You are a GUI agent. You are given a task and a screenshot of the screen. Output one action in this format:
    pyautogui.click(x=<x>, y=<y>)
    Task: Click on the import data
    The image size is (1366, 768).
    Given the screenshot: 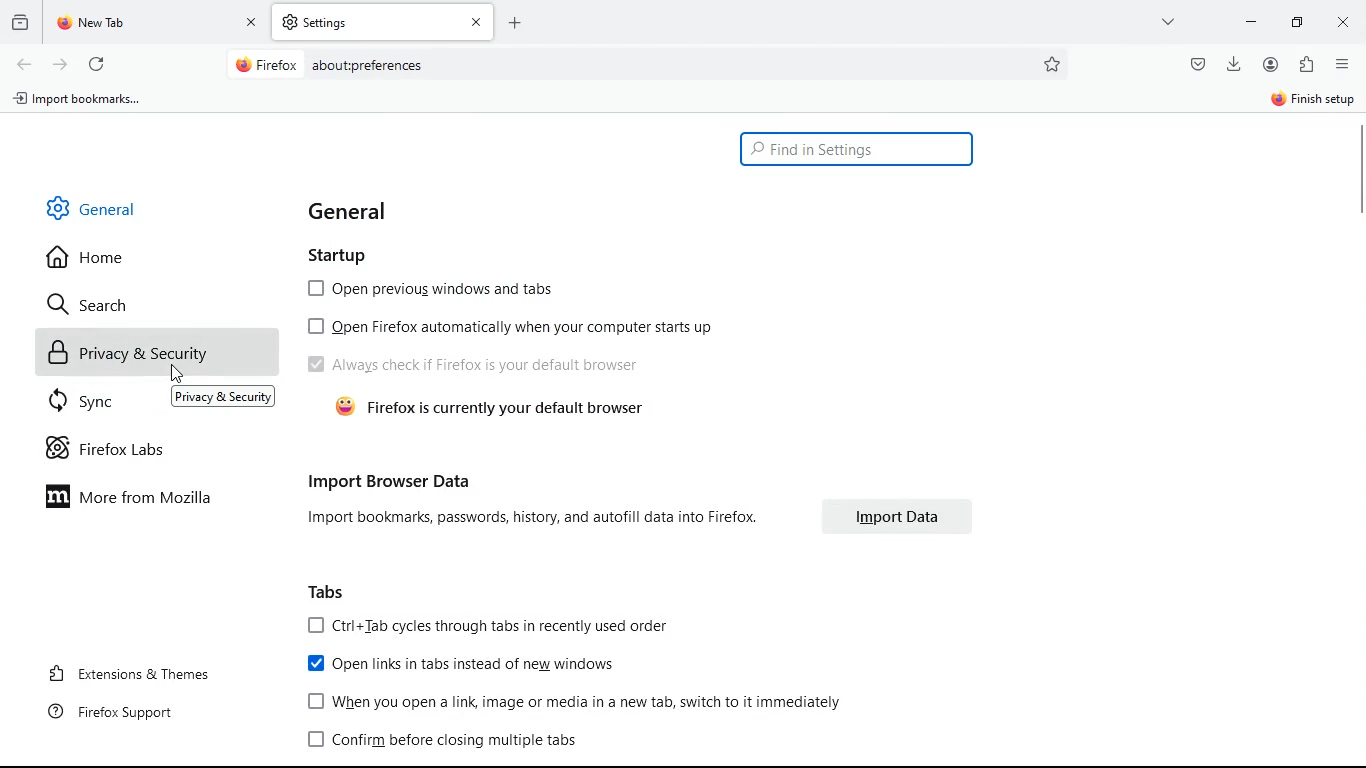 What is the action you would take?
    pyautogui.click(x=911, y=517)
    